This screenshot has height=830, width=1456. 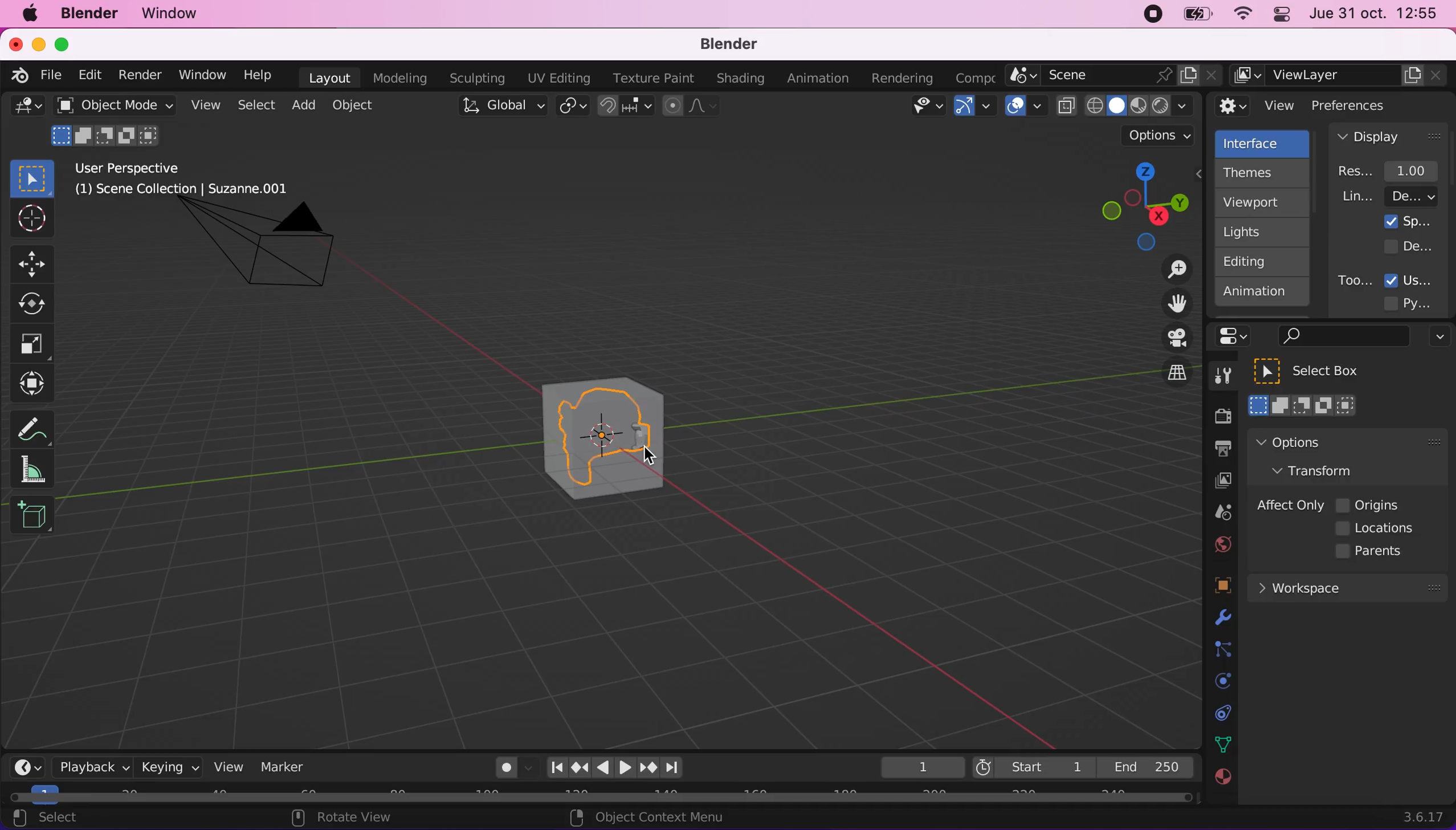 I want to click on python tooltips, so click(x=1421, y=302).